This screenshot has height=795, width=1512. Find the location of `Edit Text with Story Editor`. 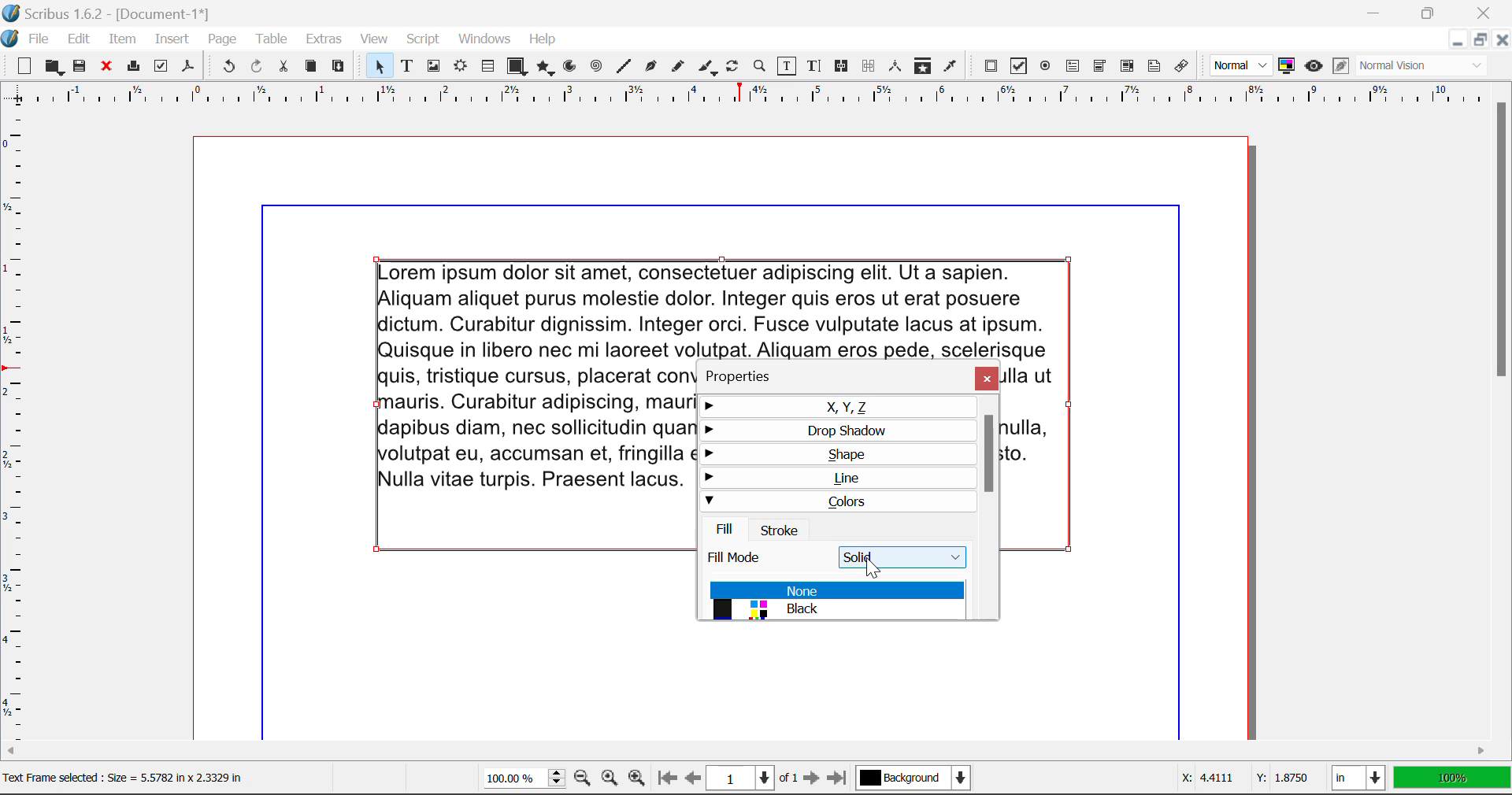

Edit Text with Story Editor is located at coordinates (817, 66).